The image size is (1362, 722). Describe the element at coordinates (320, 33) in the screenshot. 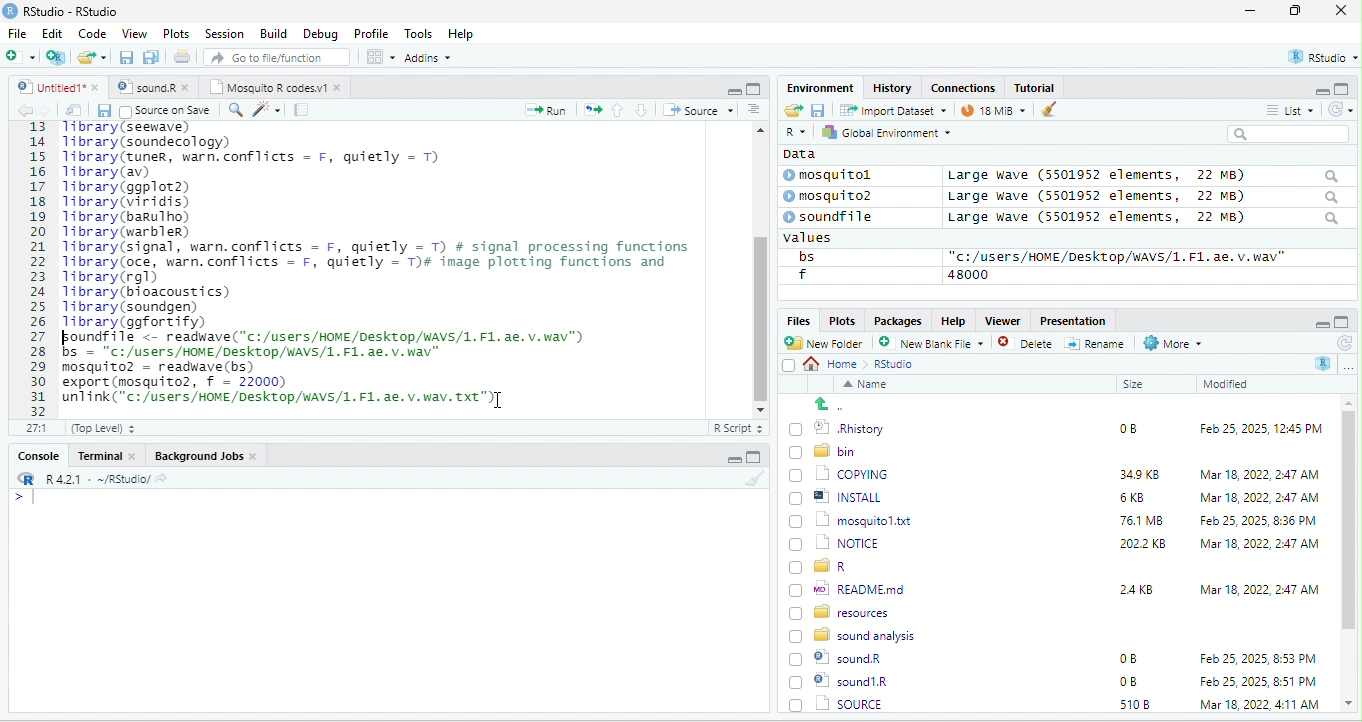

I see `Debug` at that location.